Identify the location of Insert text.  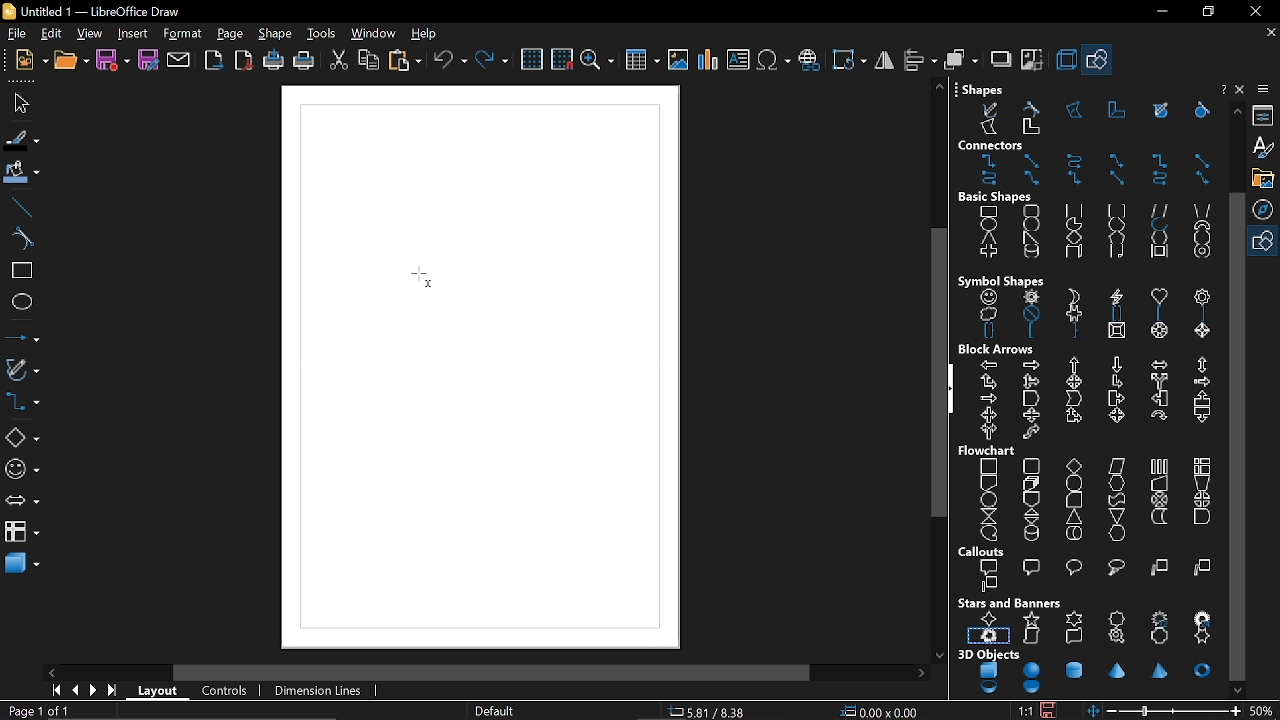
(738, 61).